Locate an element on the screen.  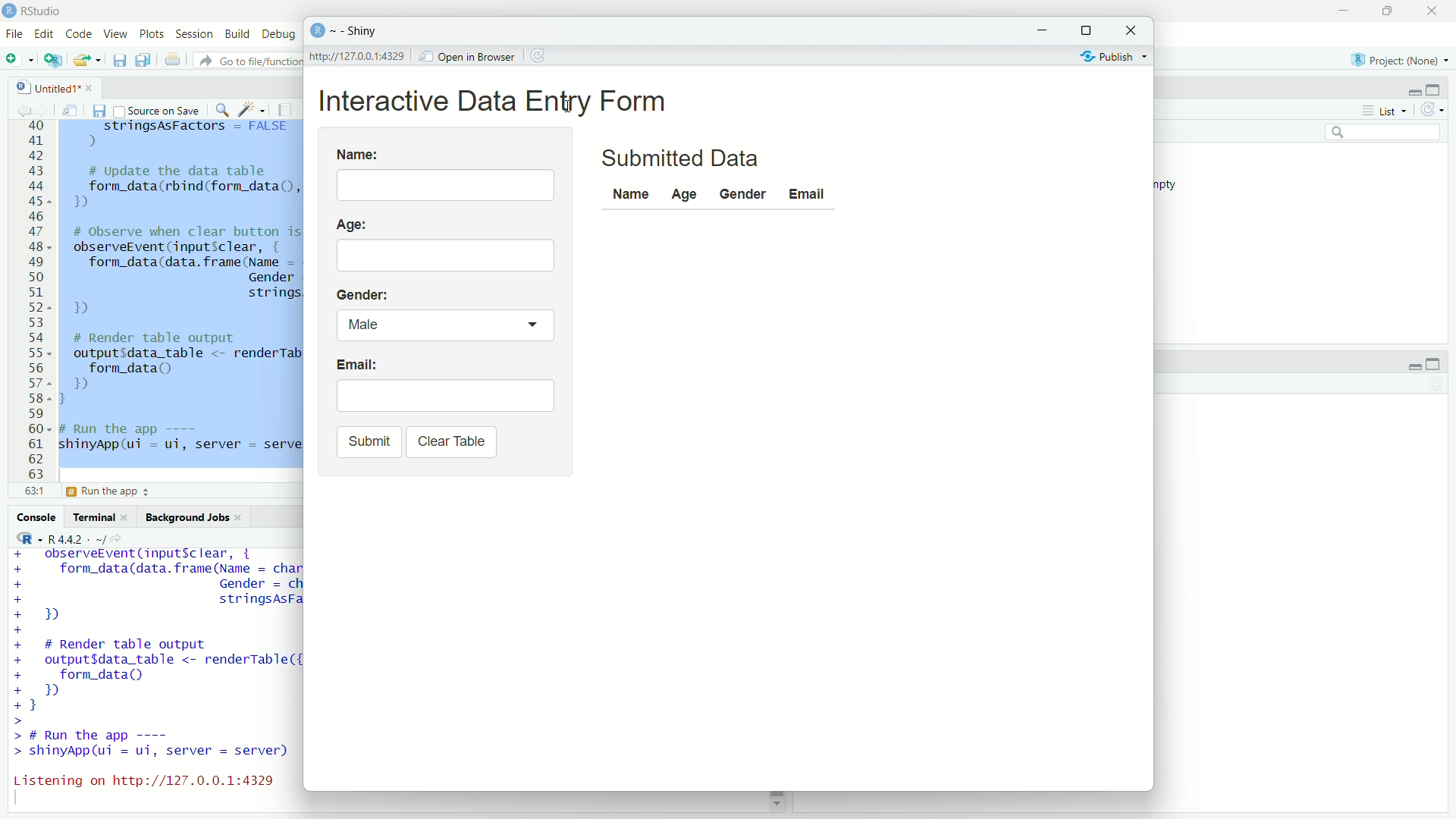
Debug is located at coordinates (279, 34).